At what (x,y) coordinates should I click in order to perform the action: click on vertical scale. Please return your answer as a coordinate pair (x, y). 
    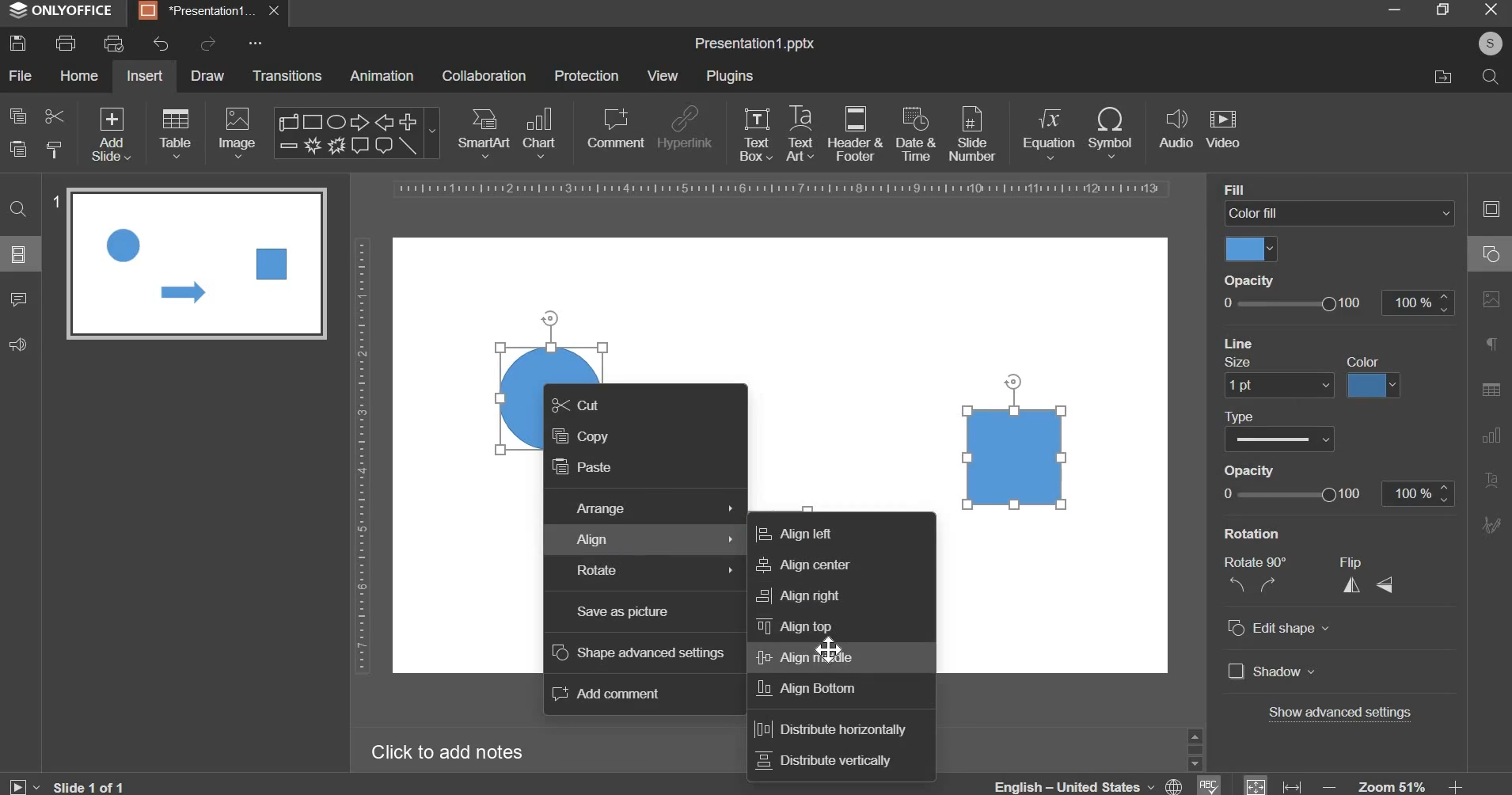
    Looking at the image, I should click on (361, 455).